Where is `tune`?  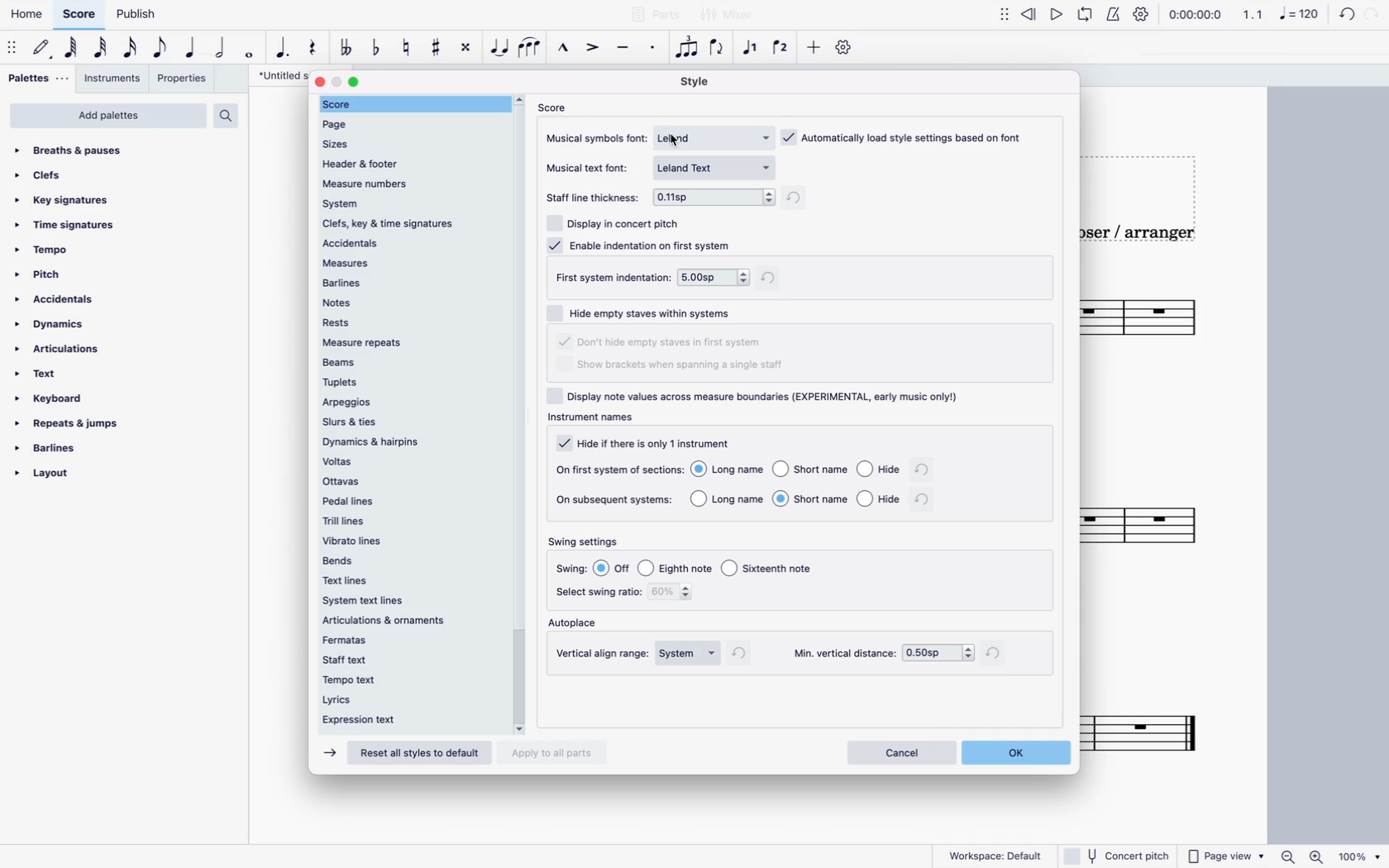 tune is located at coordinates (409, 45).